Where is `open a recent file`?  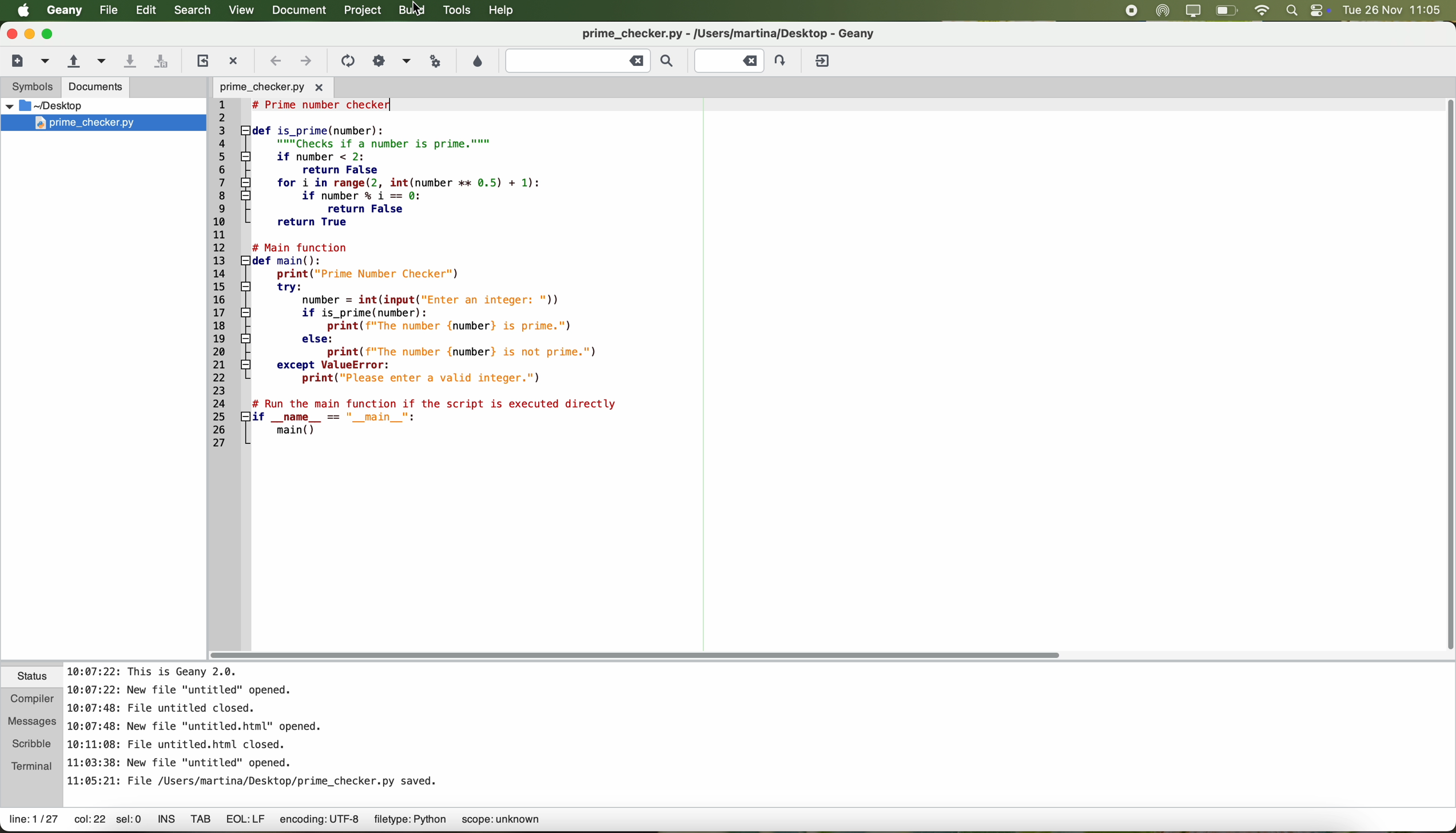
open a recent file is located at coordinates (99, 61).